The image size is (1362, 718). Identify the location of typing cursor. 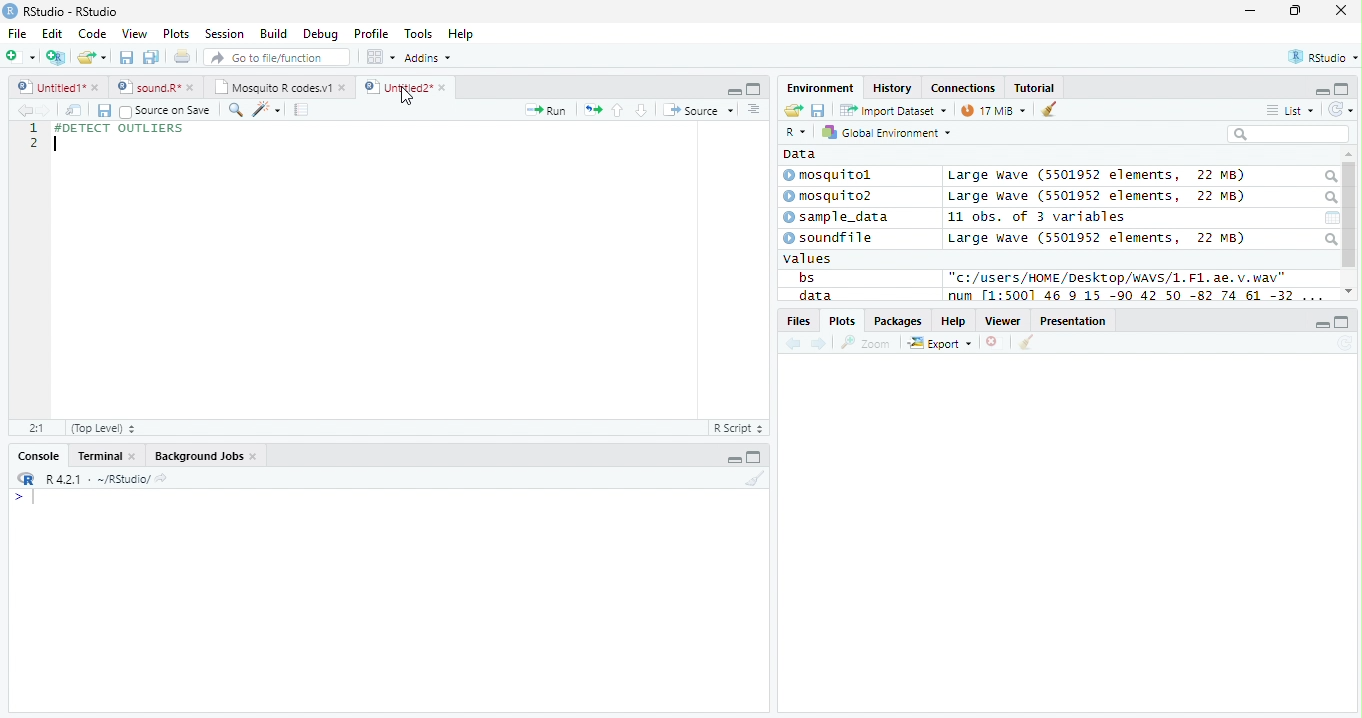
(24, 498).